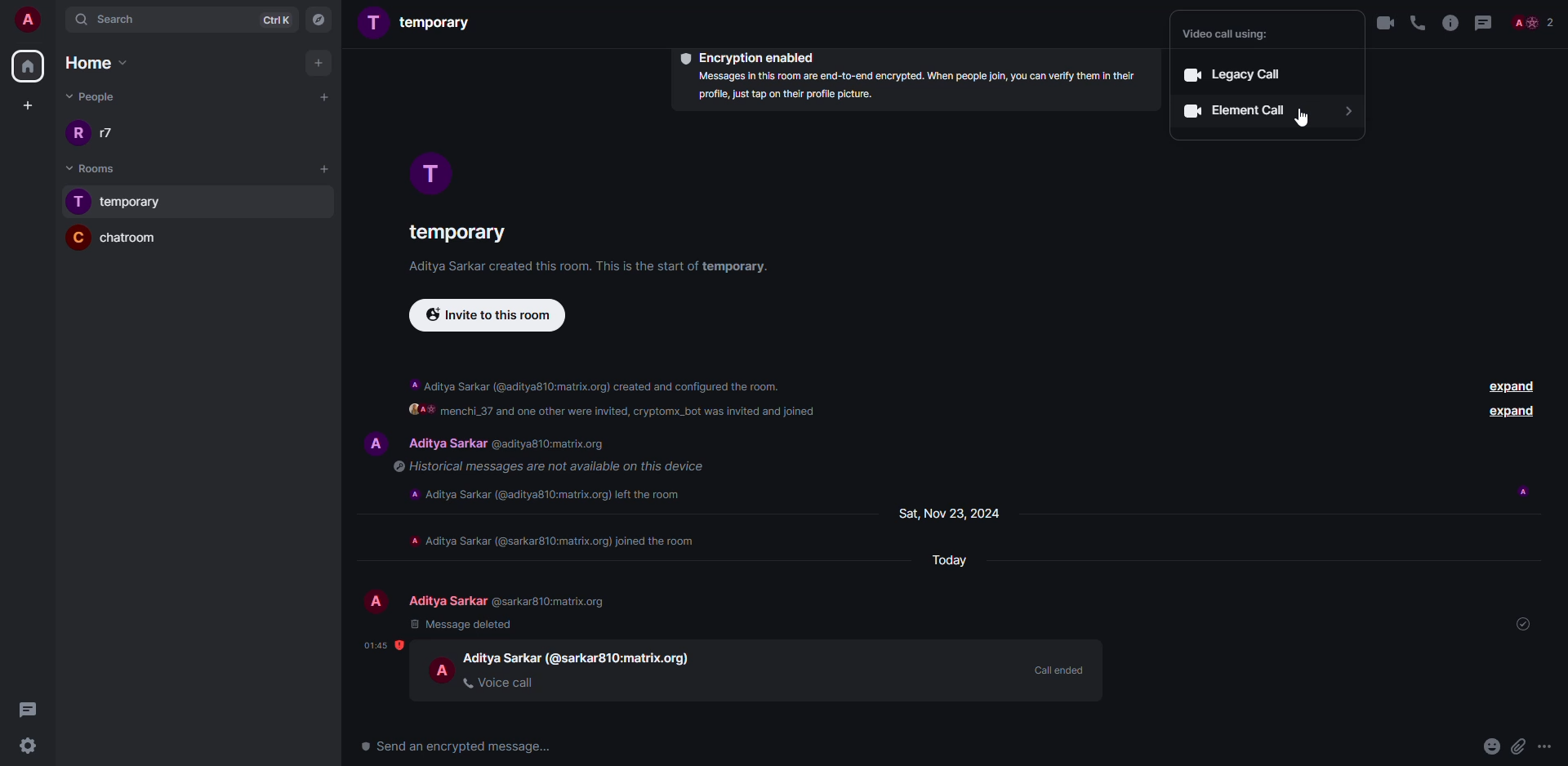  Describe the element at coordinates (1386, 22) in the screenshot. I see `click video call` at that location.